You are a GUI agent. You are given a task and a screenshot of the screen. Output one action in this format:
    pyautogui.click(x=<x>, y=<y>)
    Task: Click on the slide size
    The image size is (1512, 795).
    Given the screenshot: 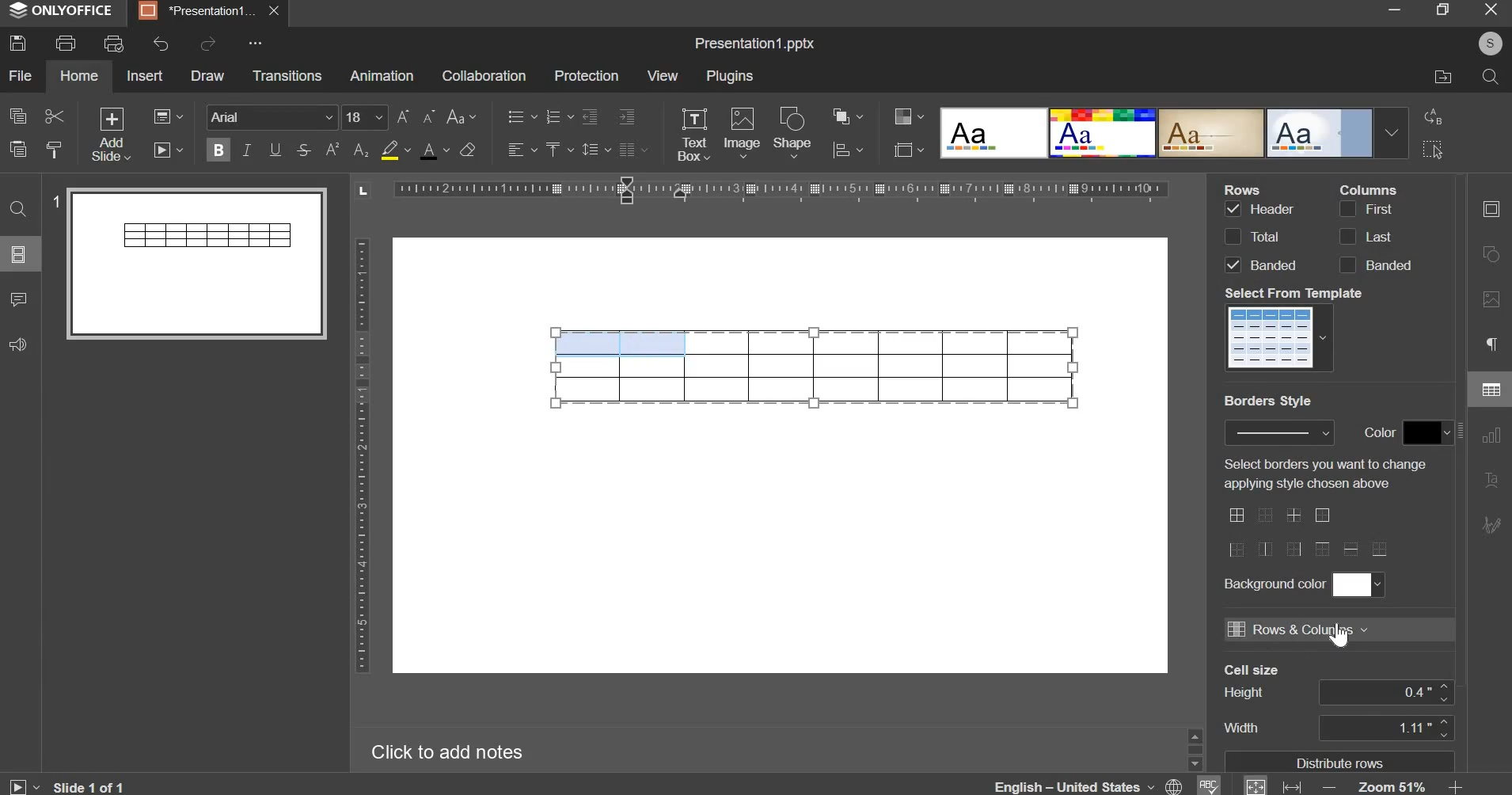 What is the action you would take?
    pyautogui.click(x=908, y=149)
    